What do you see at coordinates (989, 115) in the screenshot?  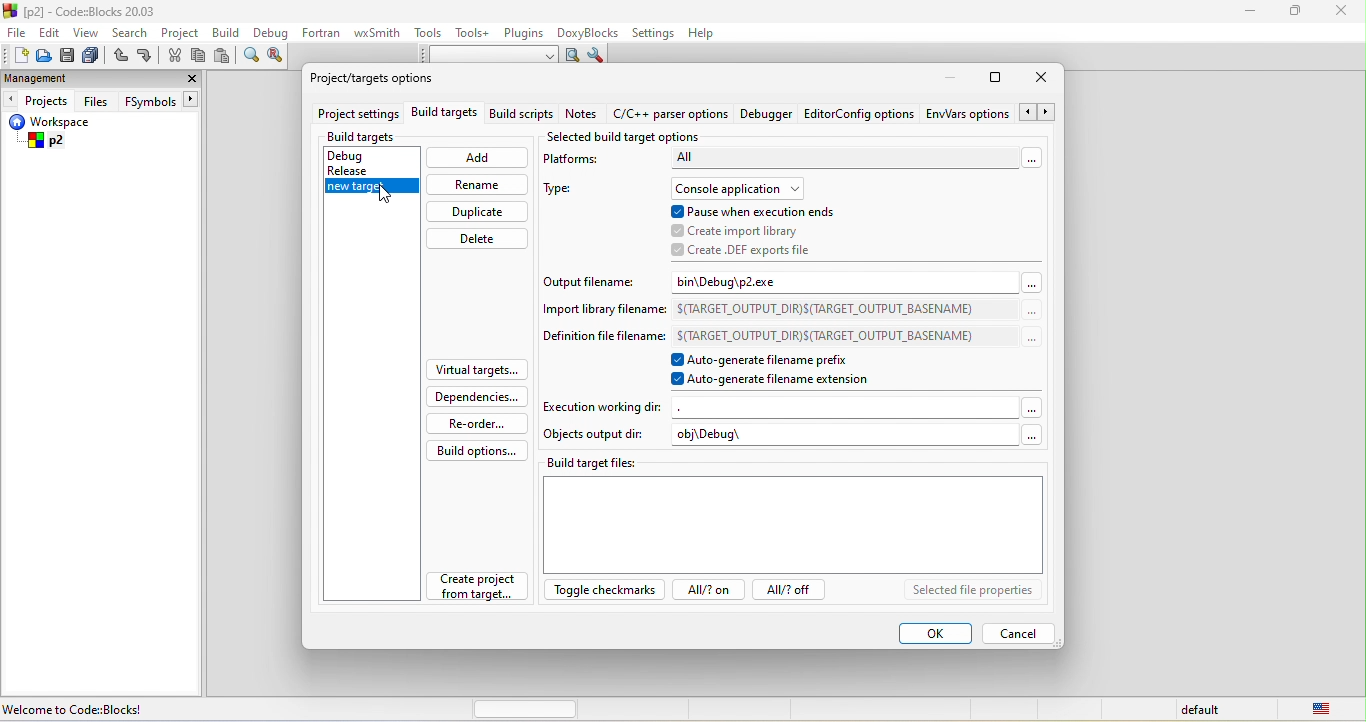 I see `env option` at bounding box center [989, 115].